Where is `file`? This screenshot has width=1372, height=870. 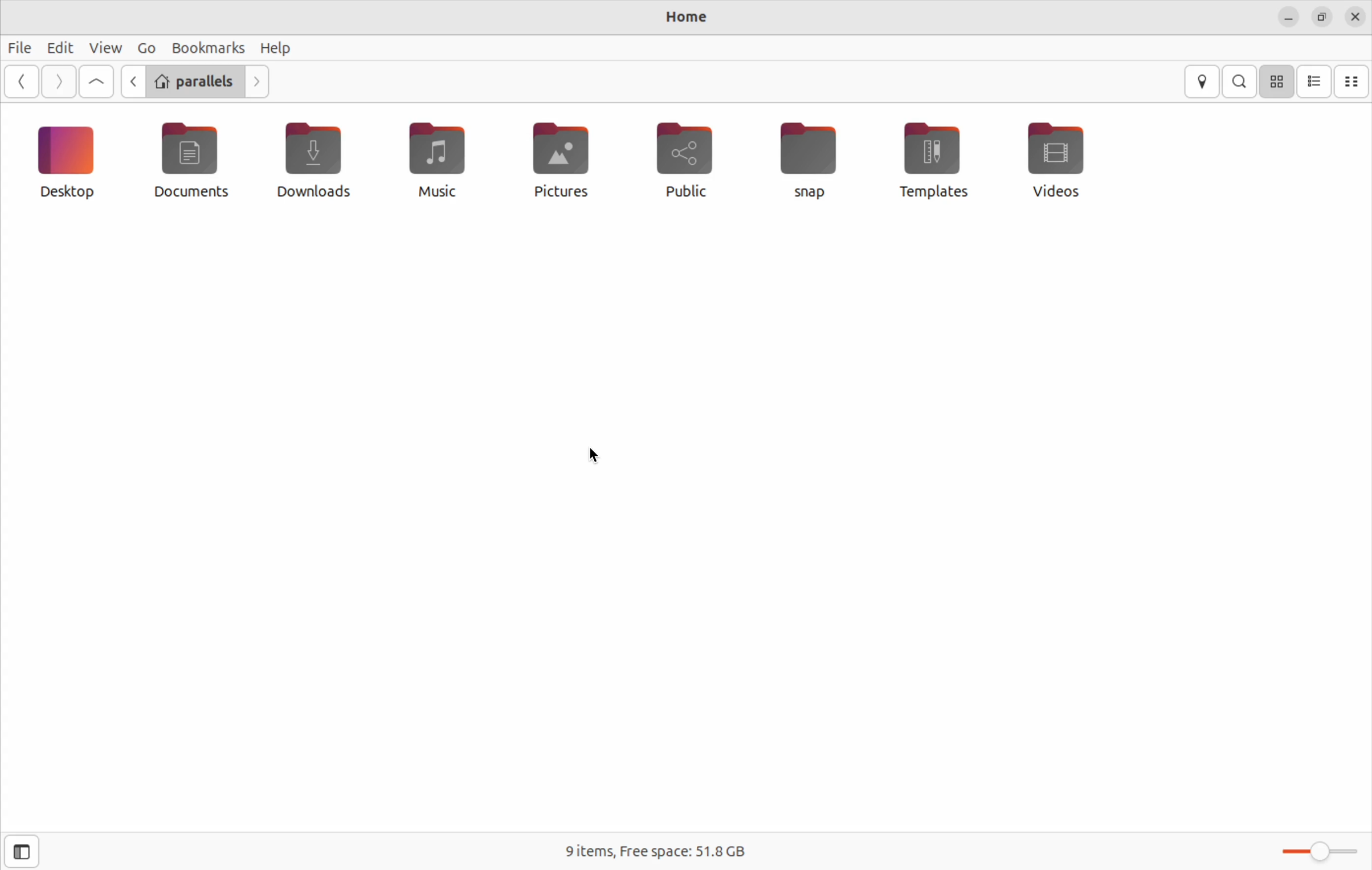 file is located at coordinates (17, 47).